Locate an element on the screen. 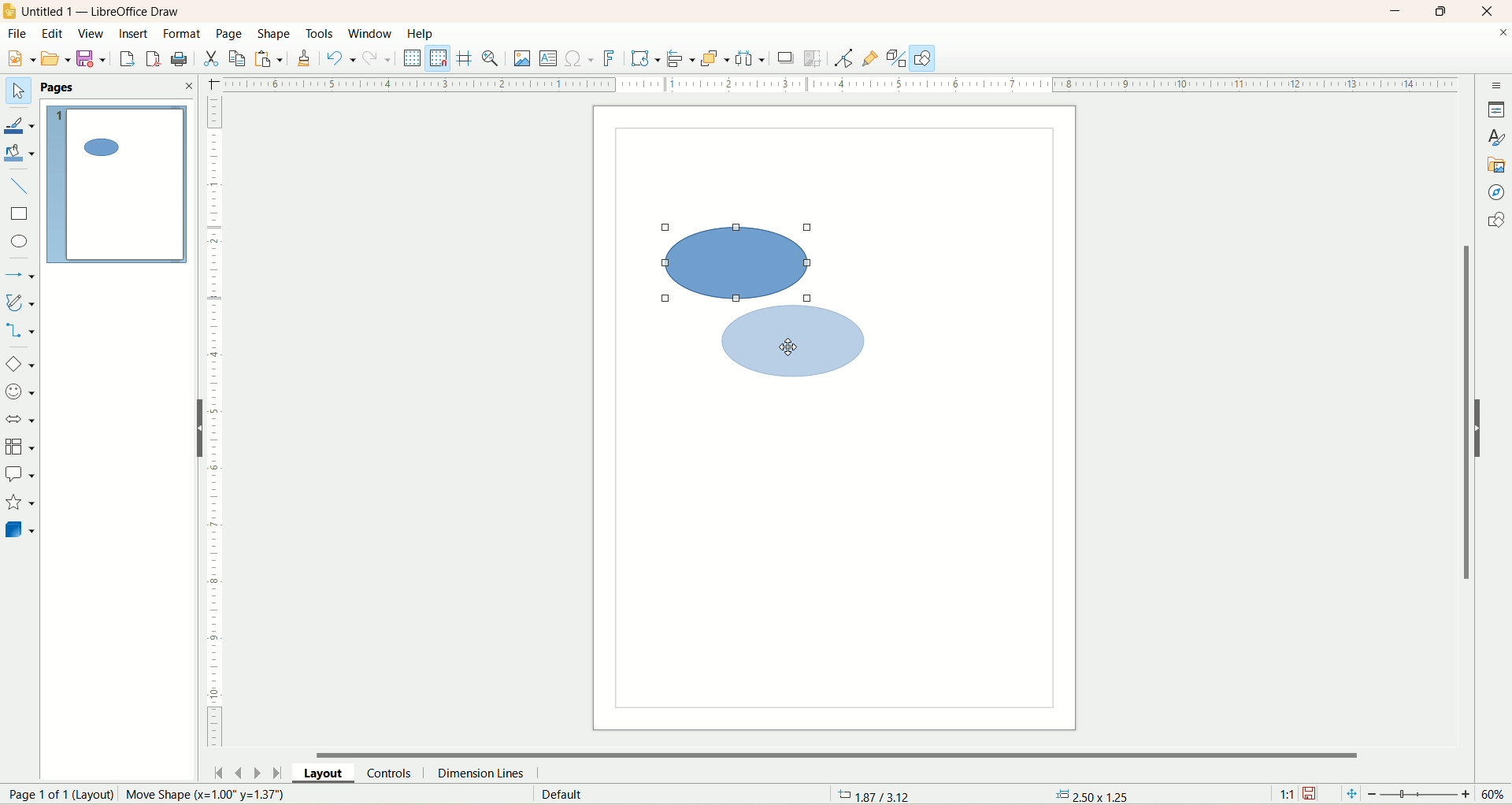 The image size is (1512, 805). insert textbox is located at coordinates (547, 58).